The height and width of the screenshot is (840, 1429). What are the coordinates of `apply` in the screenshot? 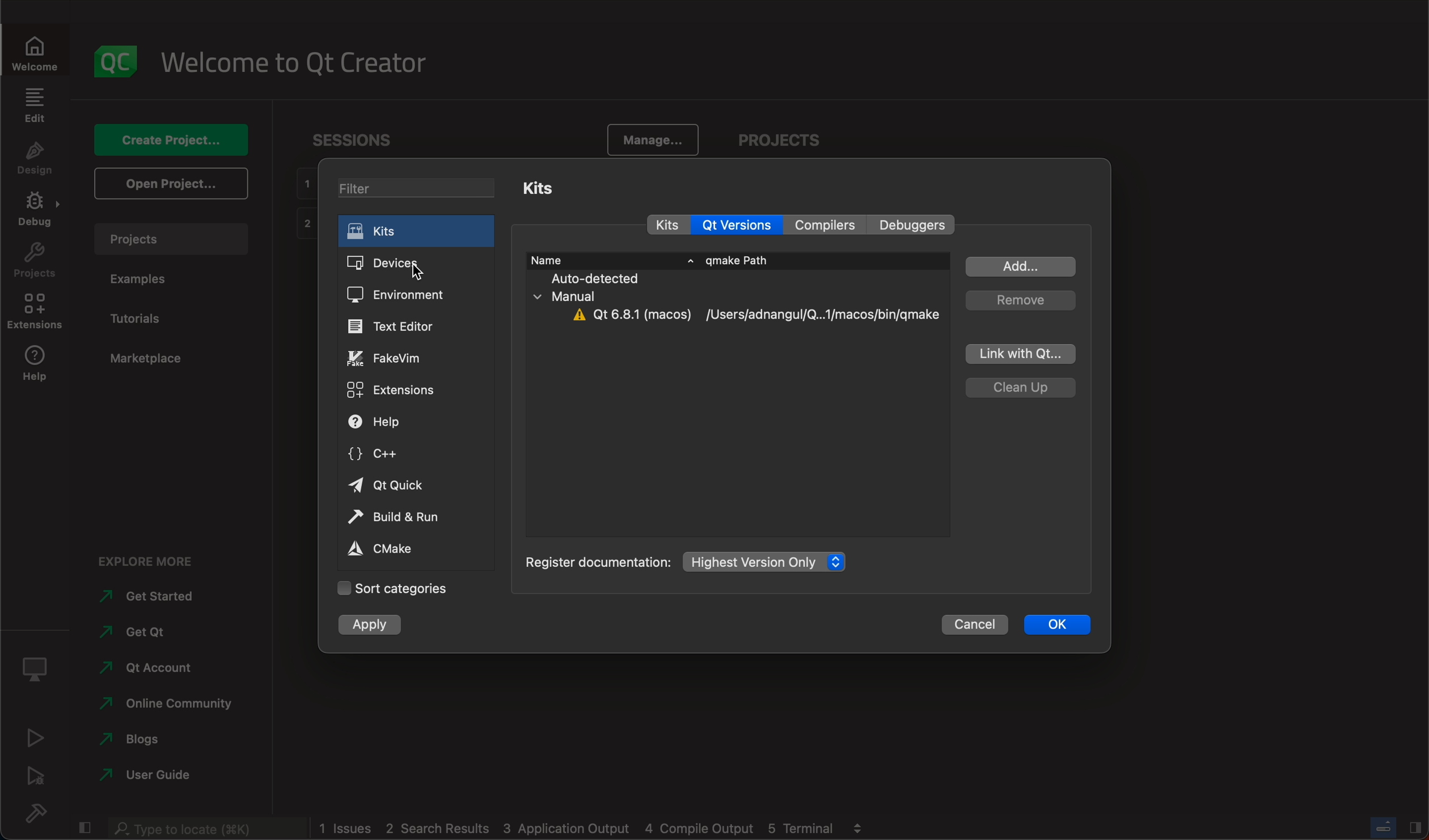 It's located at (374, 627).